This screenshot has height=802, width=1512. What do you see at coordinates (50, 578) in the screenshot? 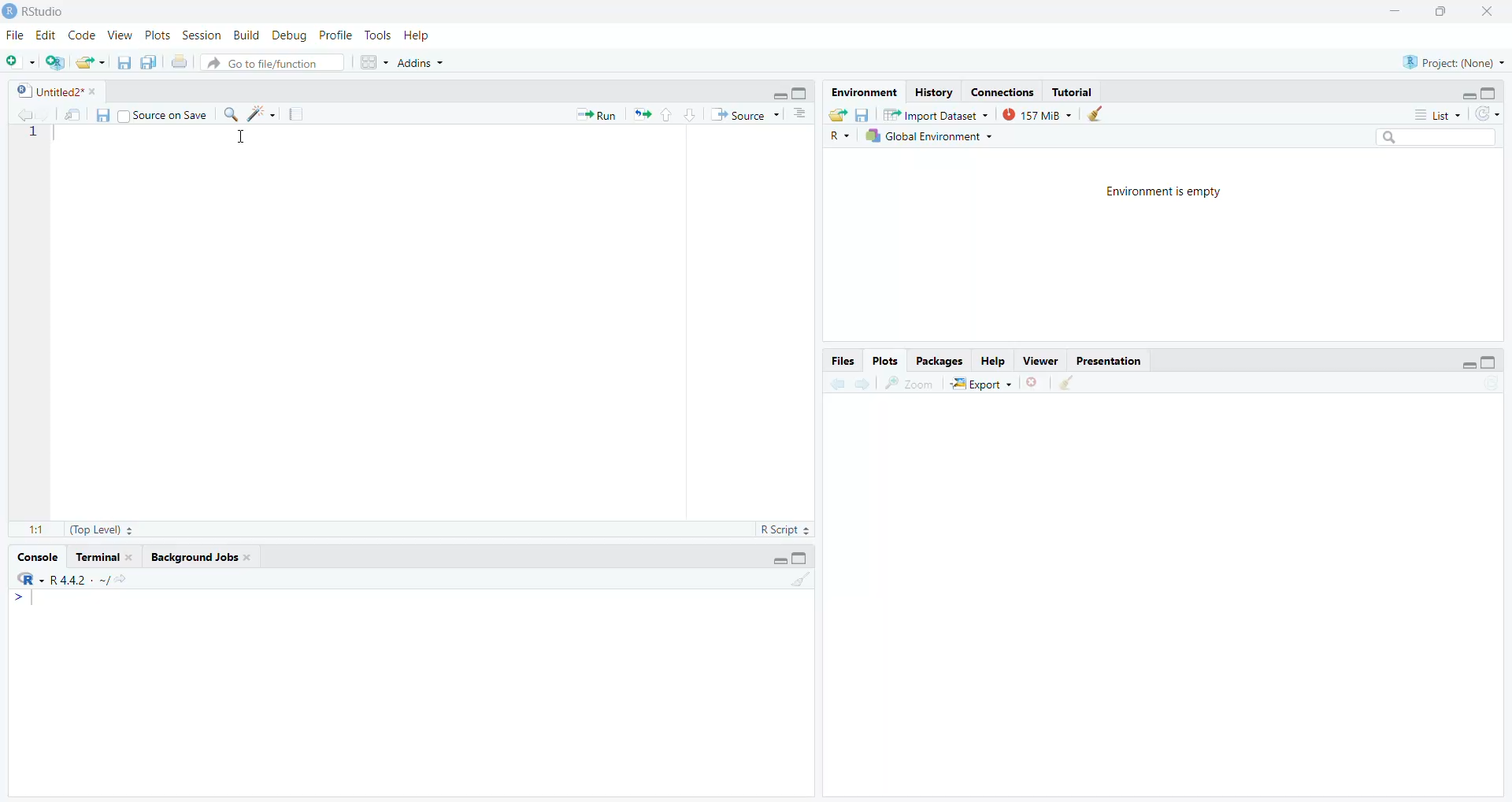
I see `R 4.4.2` at bounding box center [50, 578].